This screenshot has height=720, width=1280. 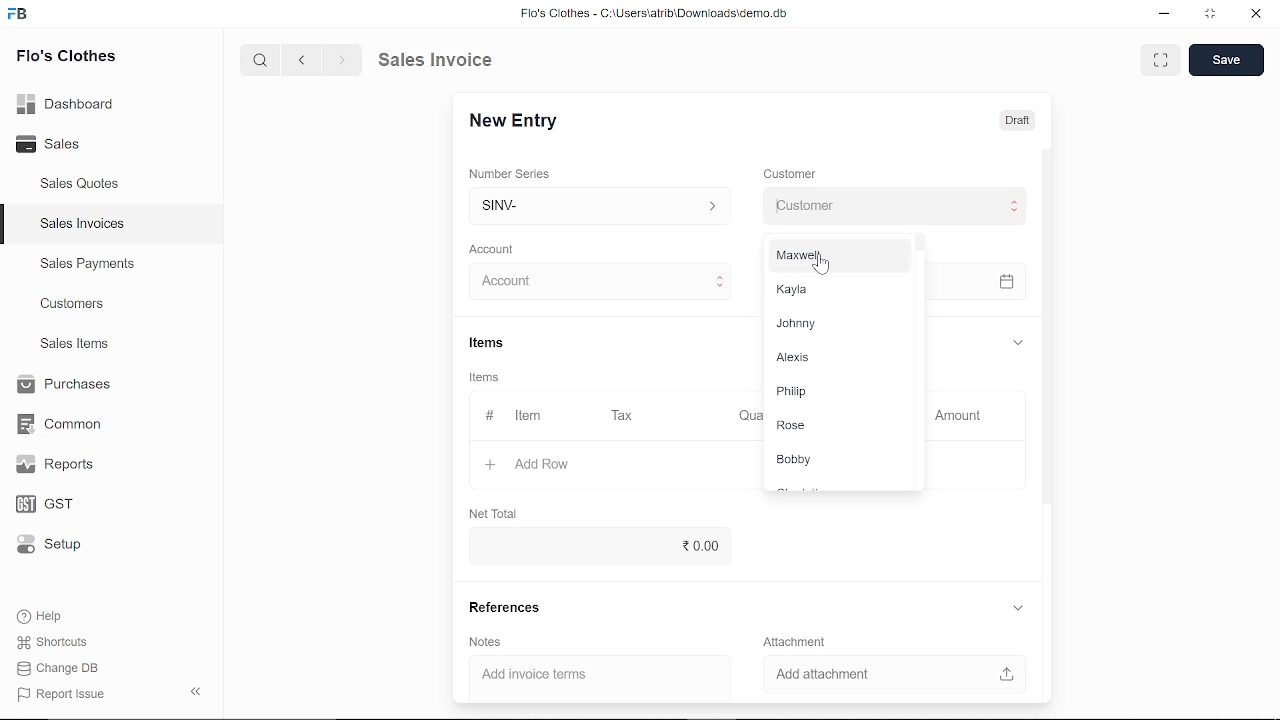 What do you see at coordinates (838, 425) in the screenshot?
I see `Rose` at bounding box center [838, 425].